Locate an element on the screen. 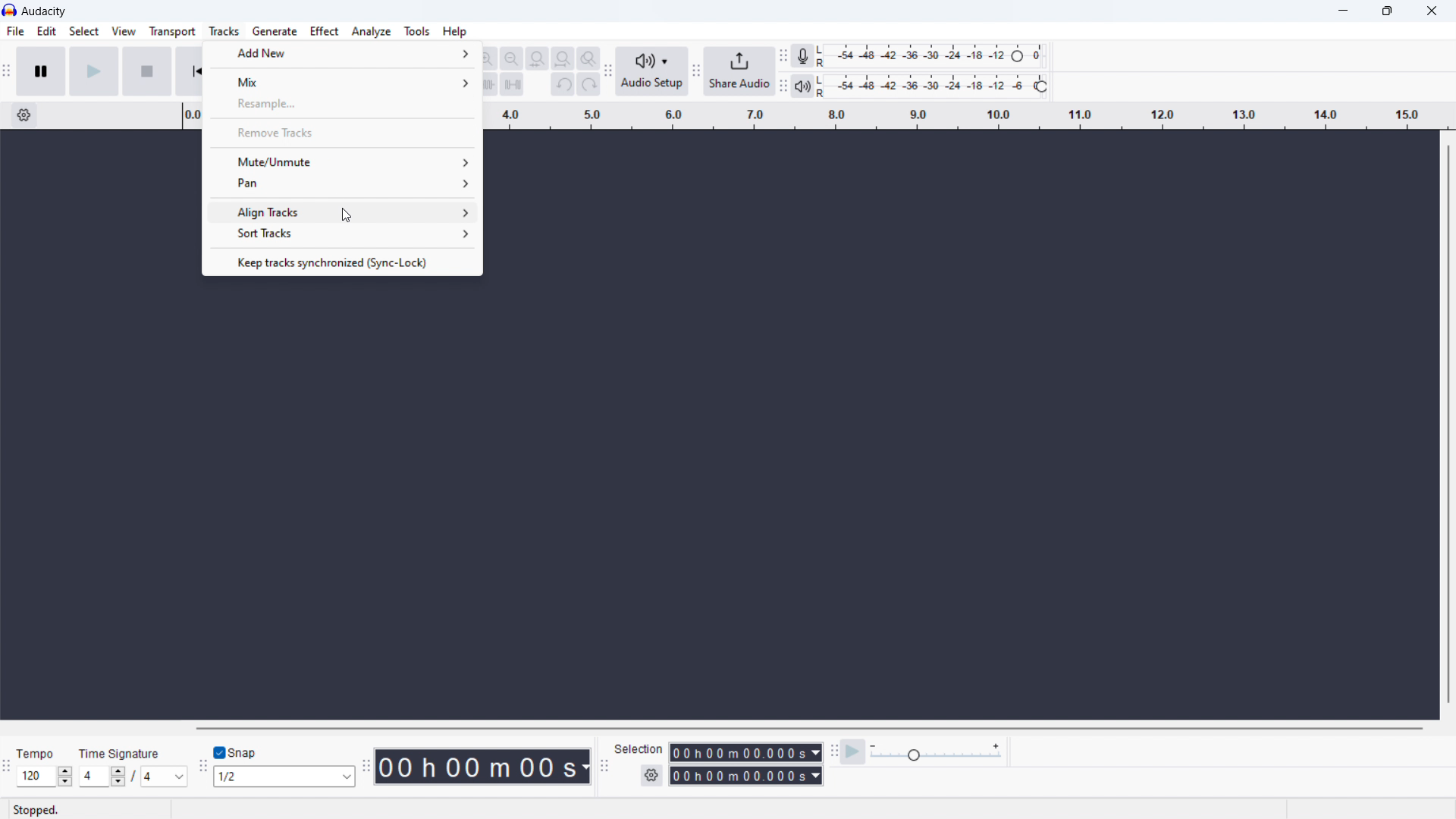 Image resolution: width=1456 pixels, height=819 pixels. tracks is located at coordinates (224, 31).